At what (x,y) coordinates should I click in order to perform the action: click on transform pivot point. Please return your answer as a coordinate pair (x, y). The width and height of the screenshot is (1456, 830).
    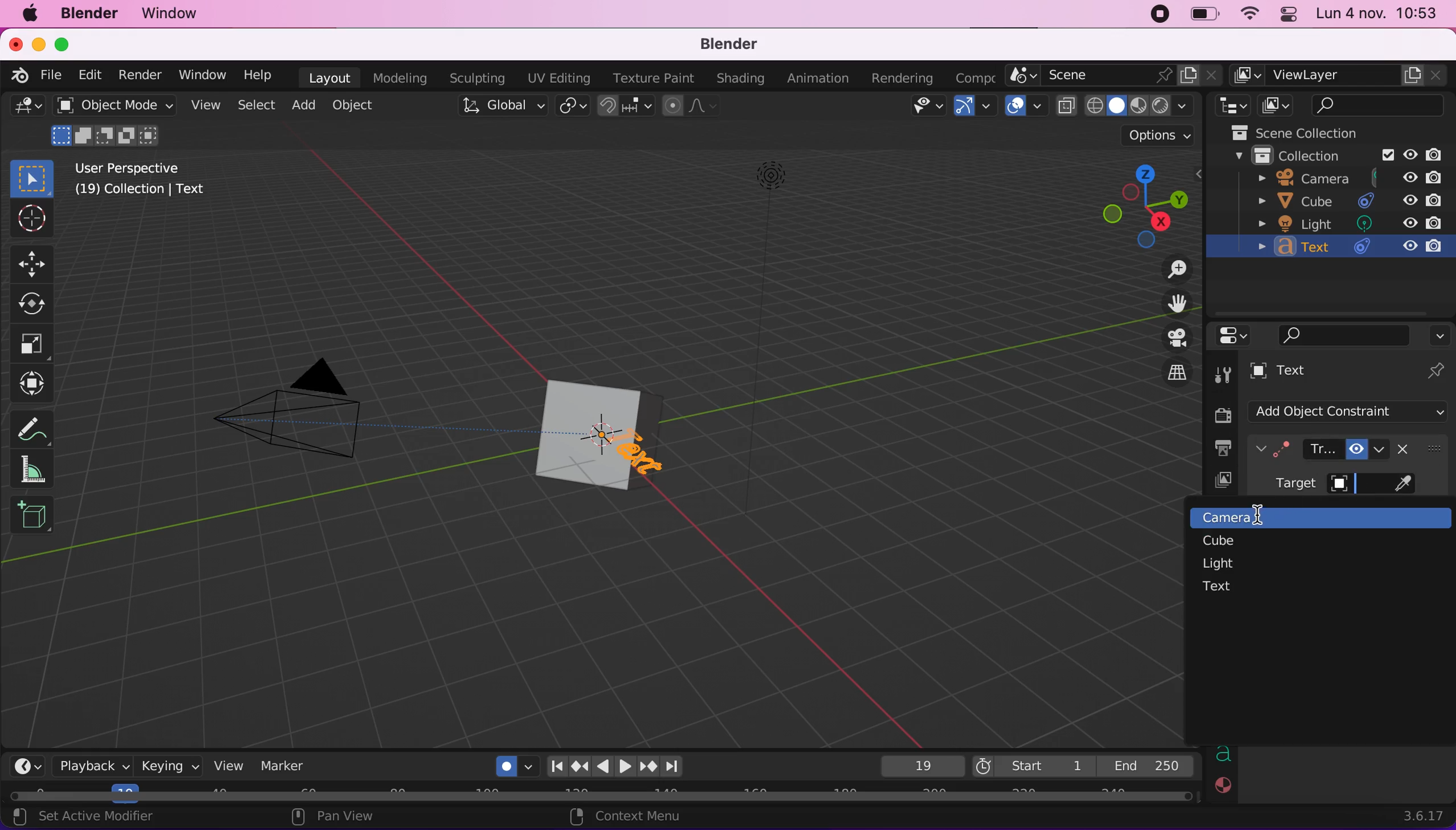
    Looking at the image, I should click on (573, 106).